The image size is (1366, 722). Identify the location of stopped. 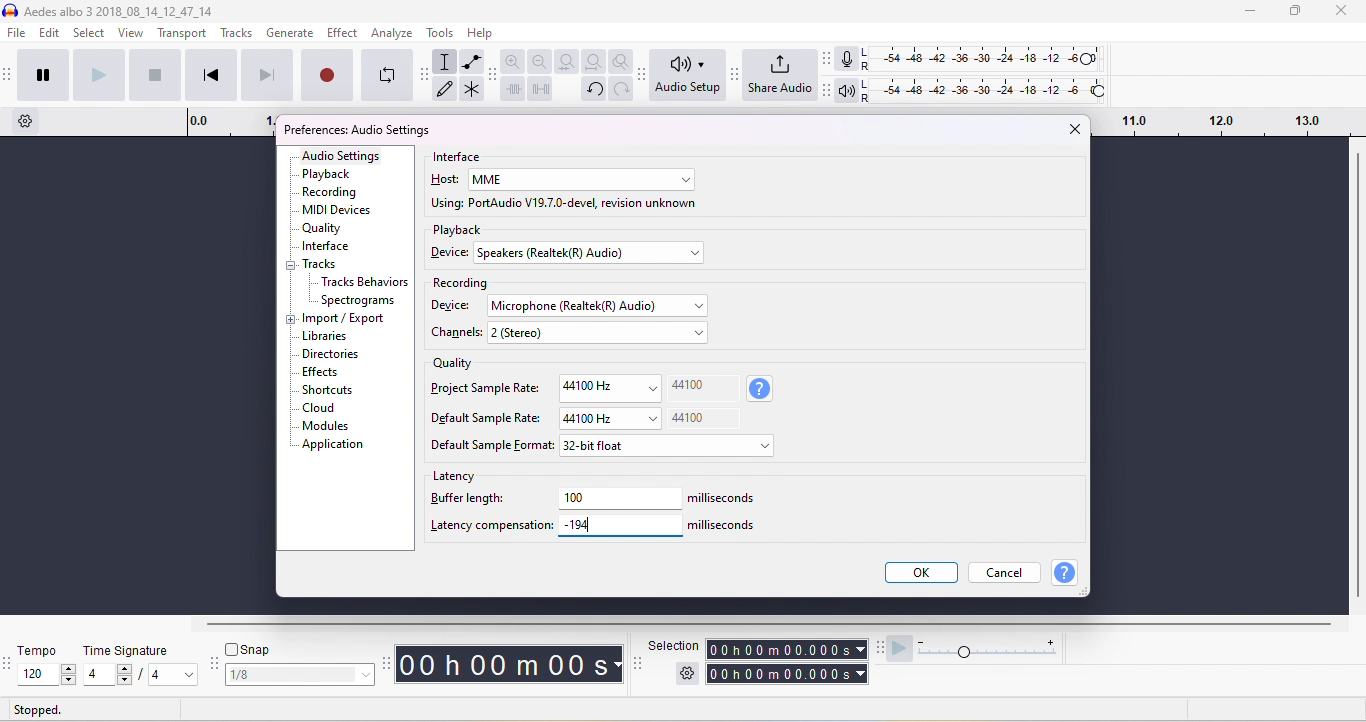
(39, 711).